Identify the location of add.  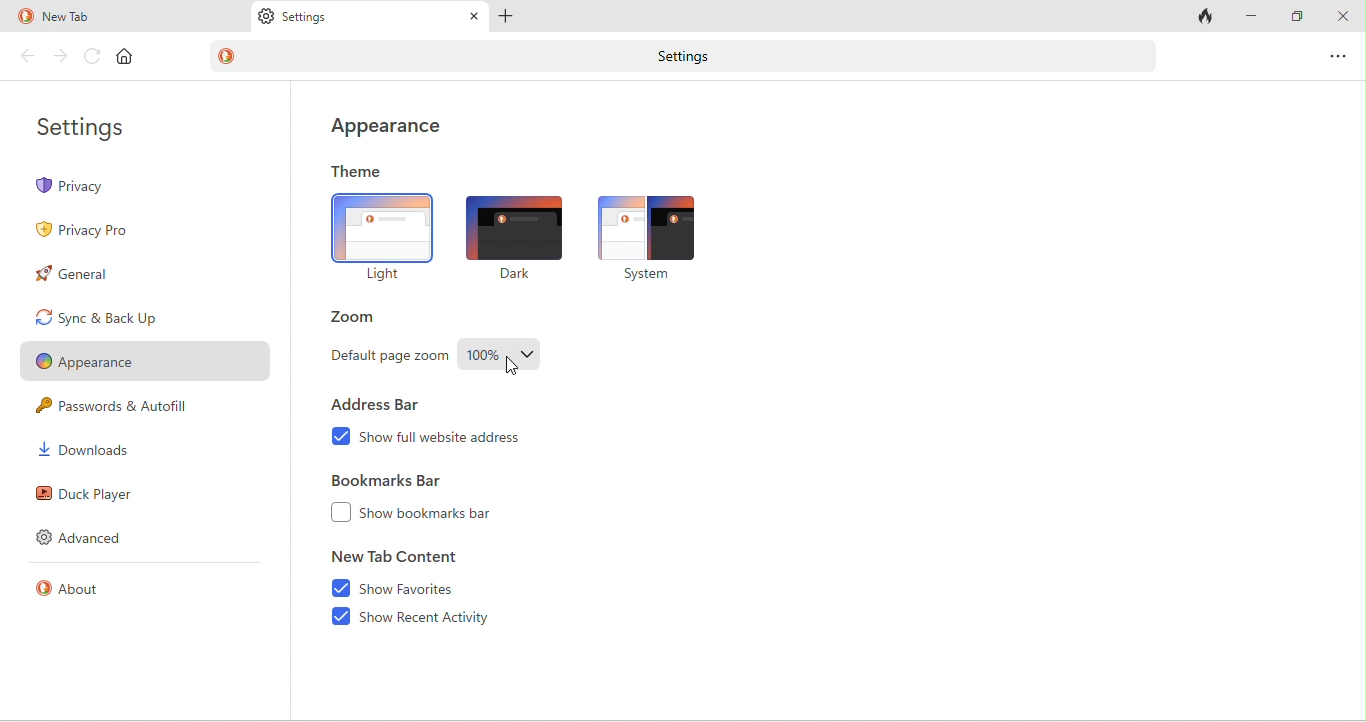
(507, 17).